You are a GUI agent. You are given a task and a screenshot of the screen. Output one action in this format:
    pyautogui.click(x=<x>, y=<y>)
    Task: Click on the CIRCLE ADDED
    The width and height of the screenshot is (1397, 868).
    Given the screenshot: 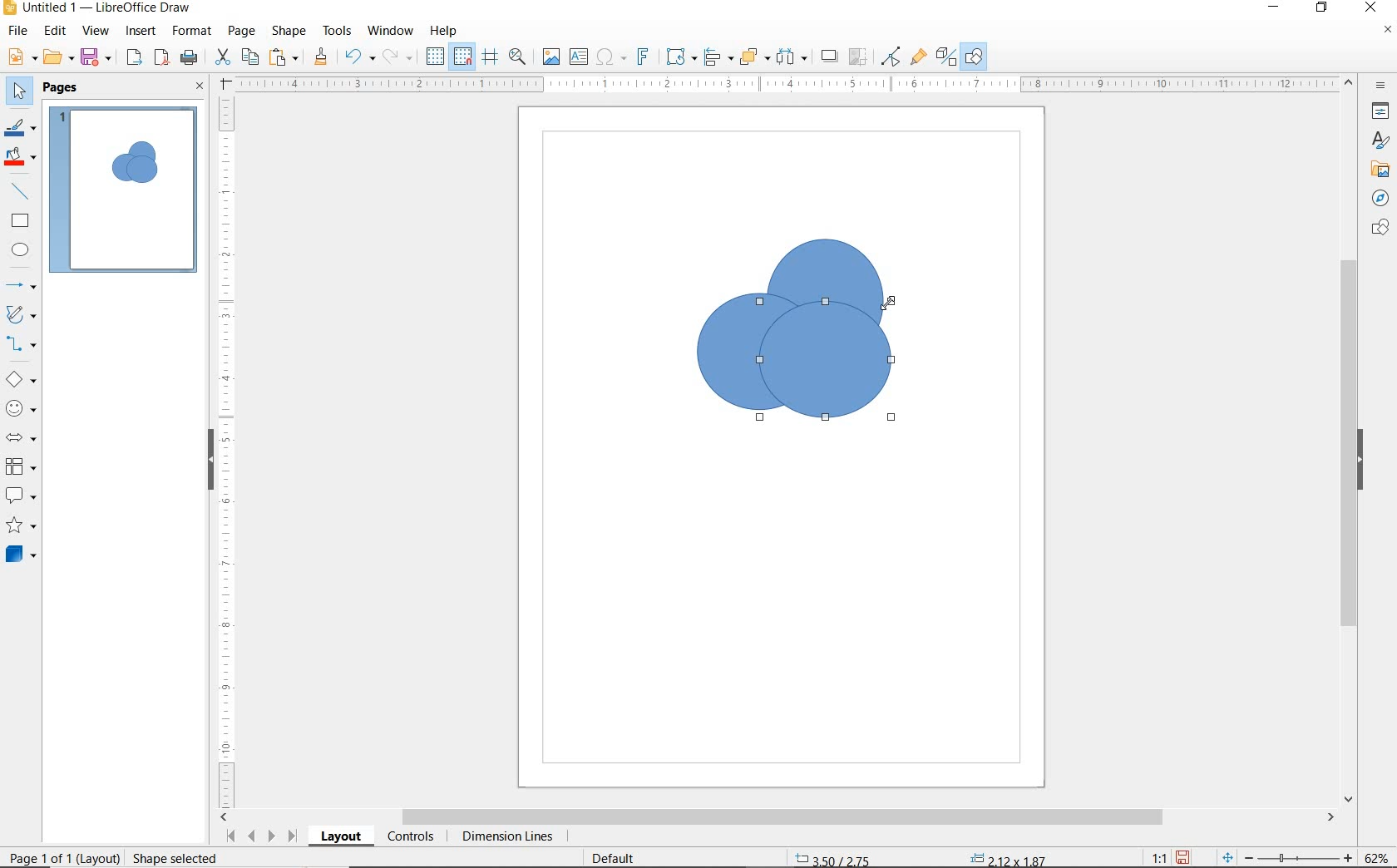 What is the action you would take?
    pyautogui.click(x=125, y=167)
    